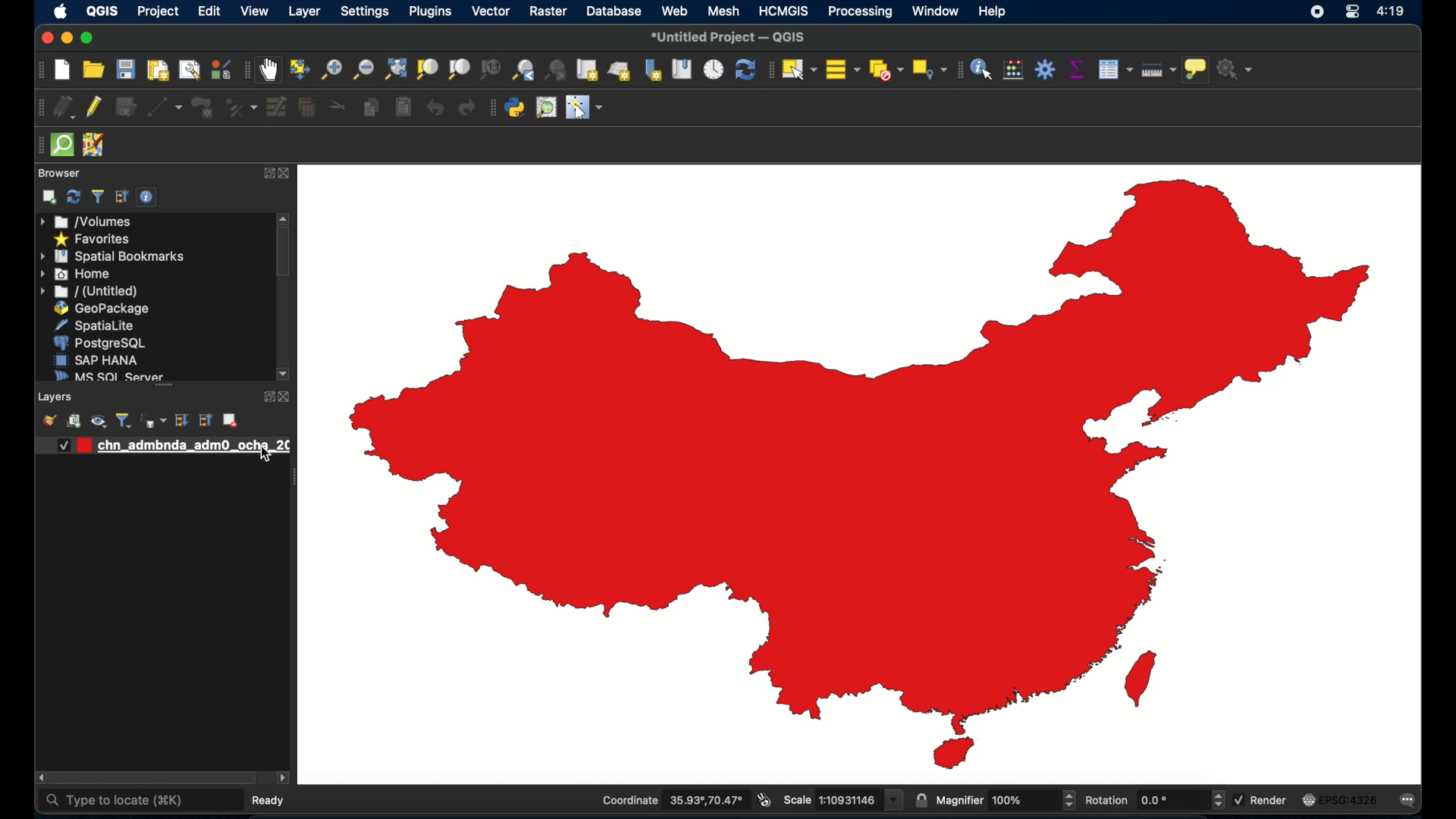 The width and height of the screenshot is (1456, 819). What do you see at coordinates (93, 70) in the screenshot?
I see `open project ` at bounding box center [93, 70].